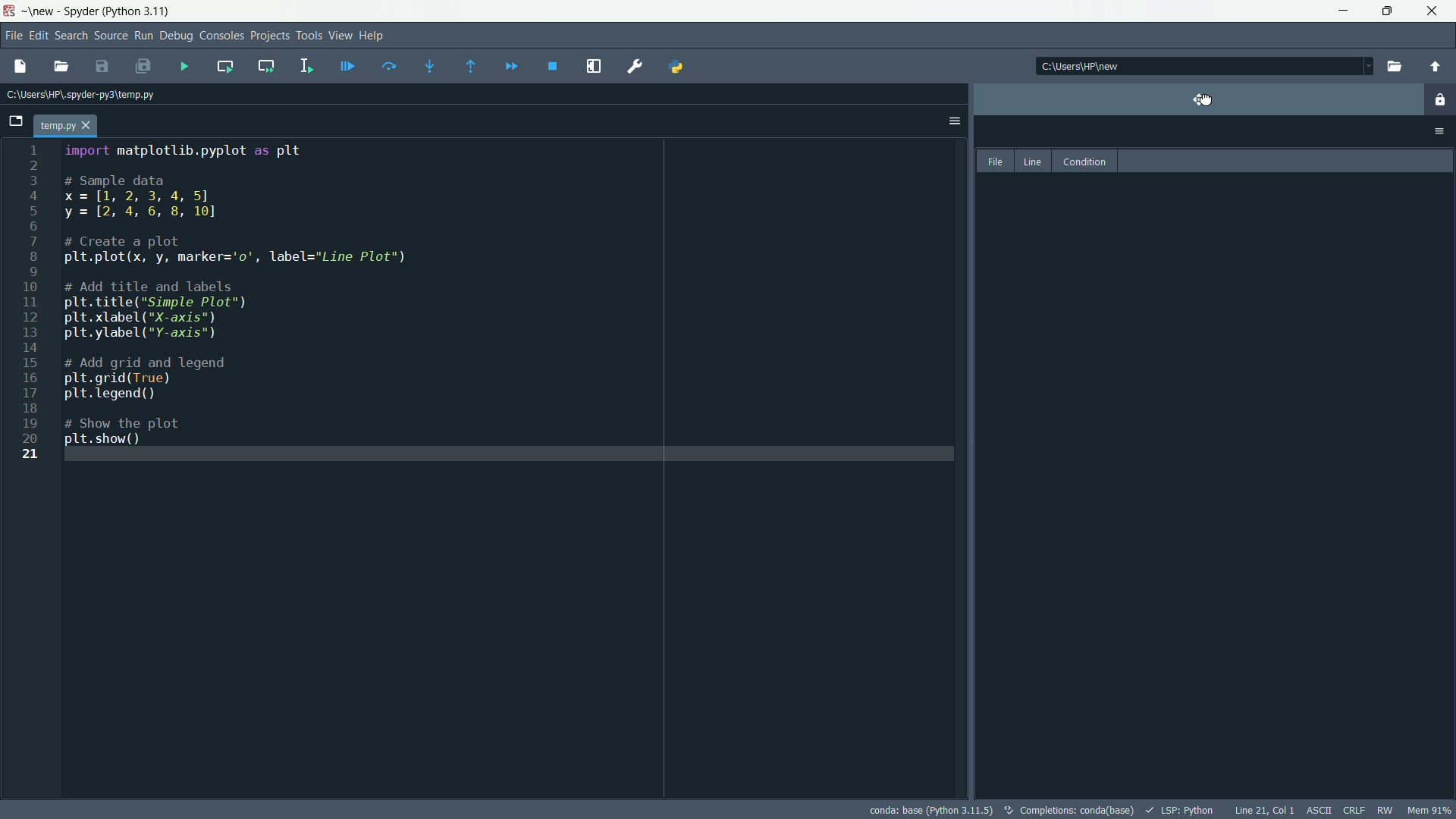 The image size is (1456, 819). I want to click on options, so click(952, 119).